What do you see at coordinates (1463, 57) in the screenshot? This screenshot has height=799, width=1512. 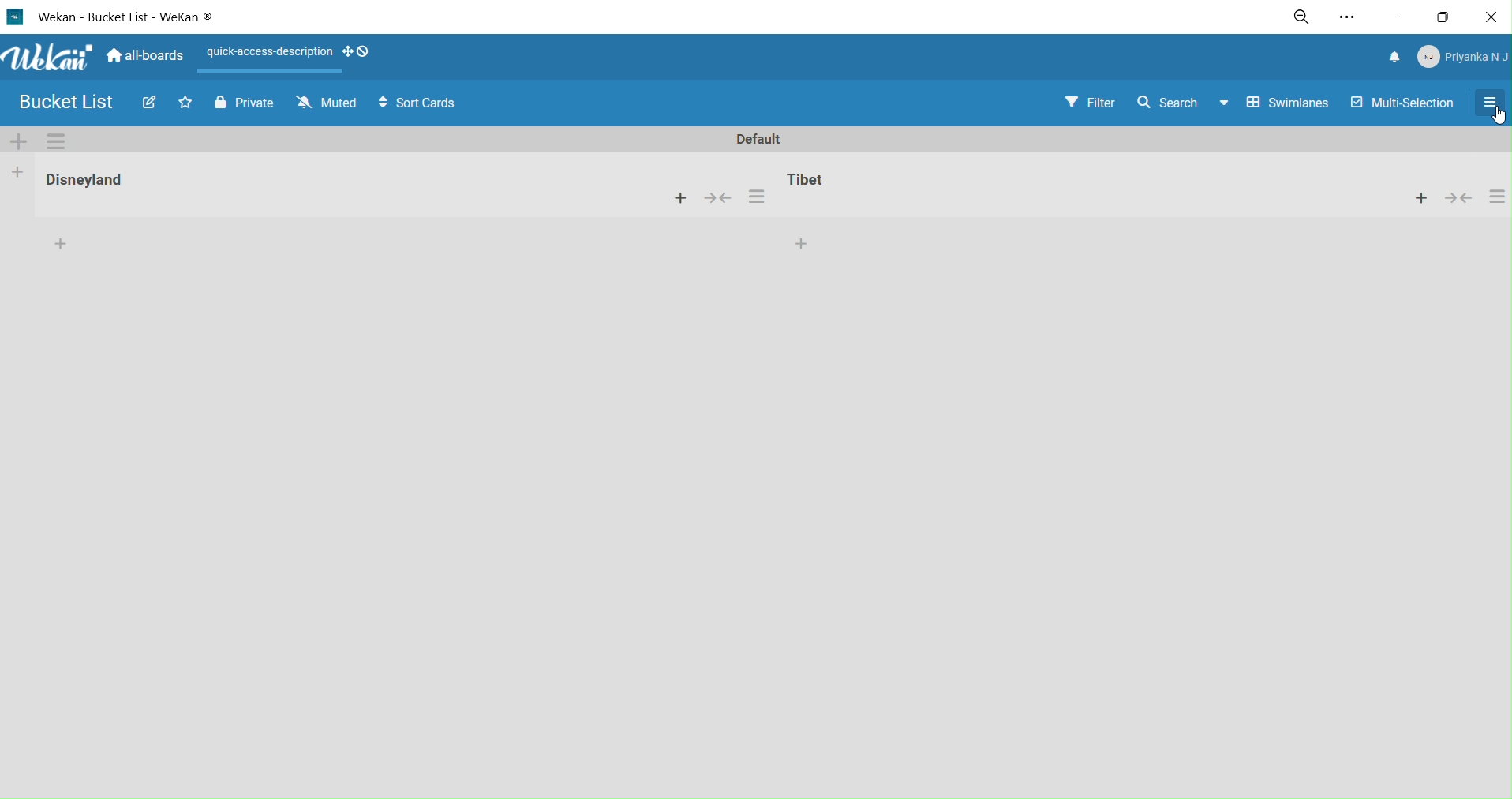 I see `member menu pop up title` at bounding box center [1463, 57].